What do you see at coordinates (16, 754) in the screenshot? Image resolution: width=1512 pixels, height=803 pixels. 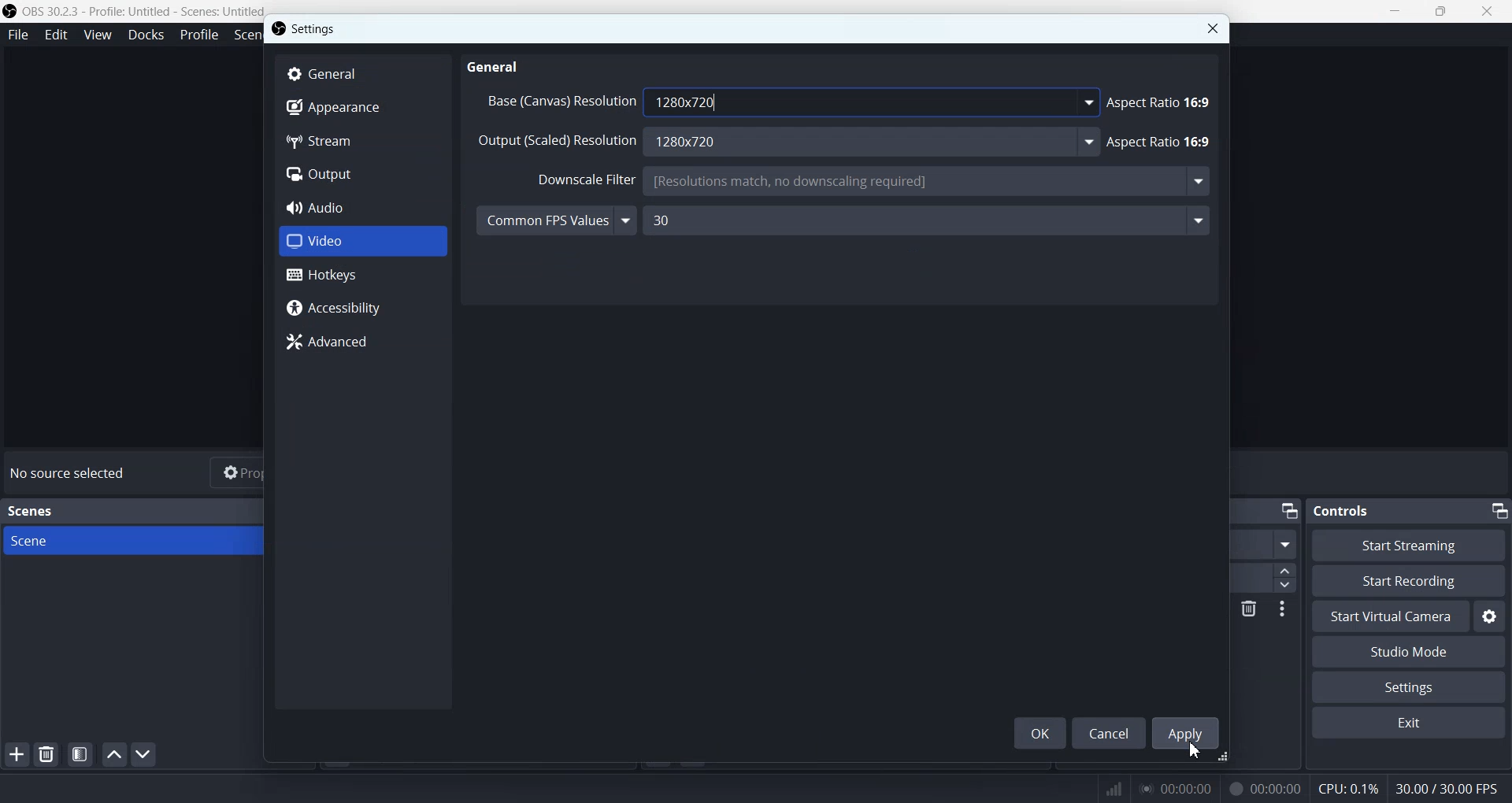 I see `Add Scene` at bounding box center [16, 754].